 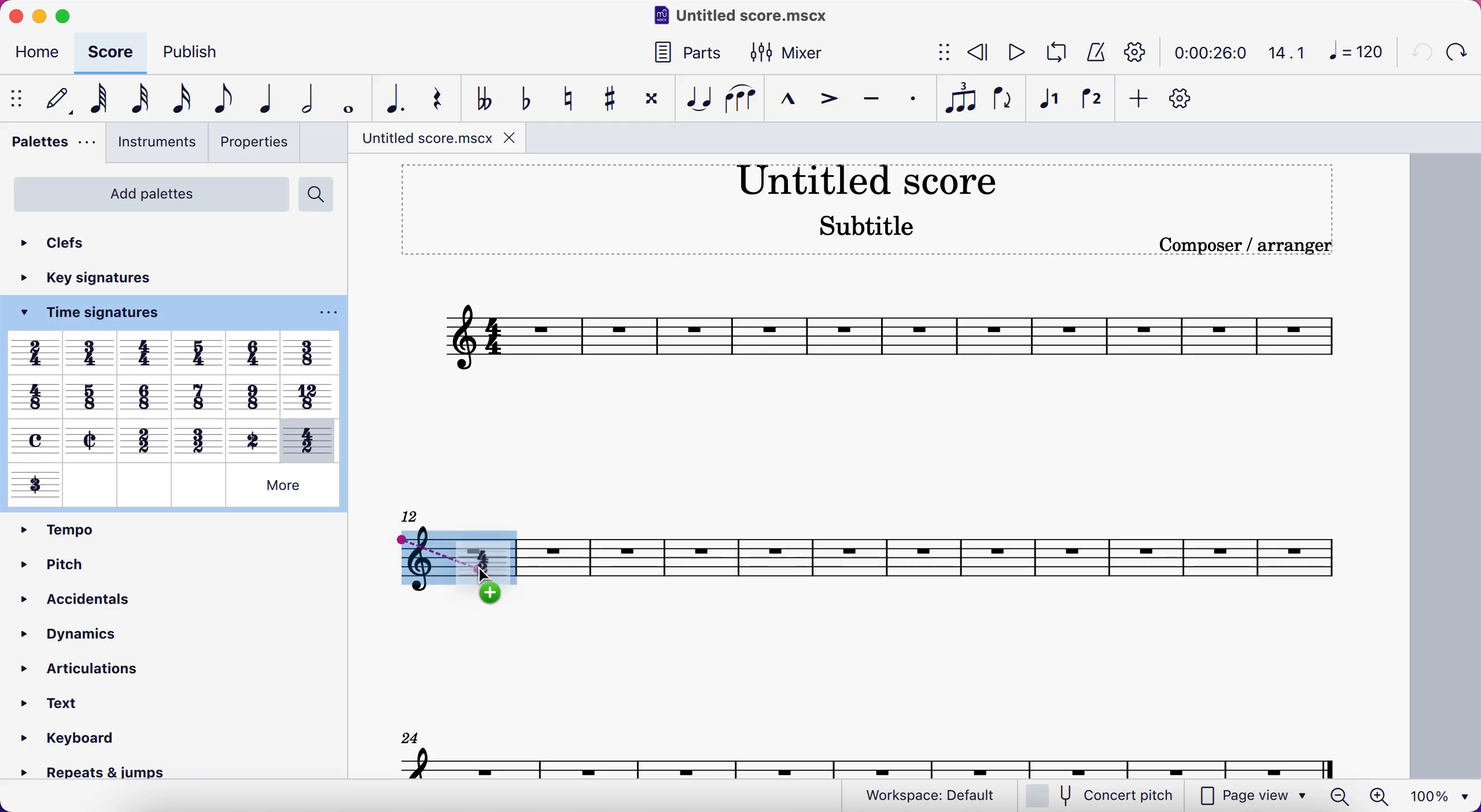 What do you see at coordinates (178, 98) in the screenshot?
I see `16th note` at bounding box center [178, 98].